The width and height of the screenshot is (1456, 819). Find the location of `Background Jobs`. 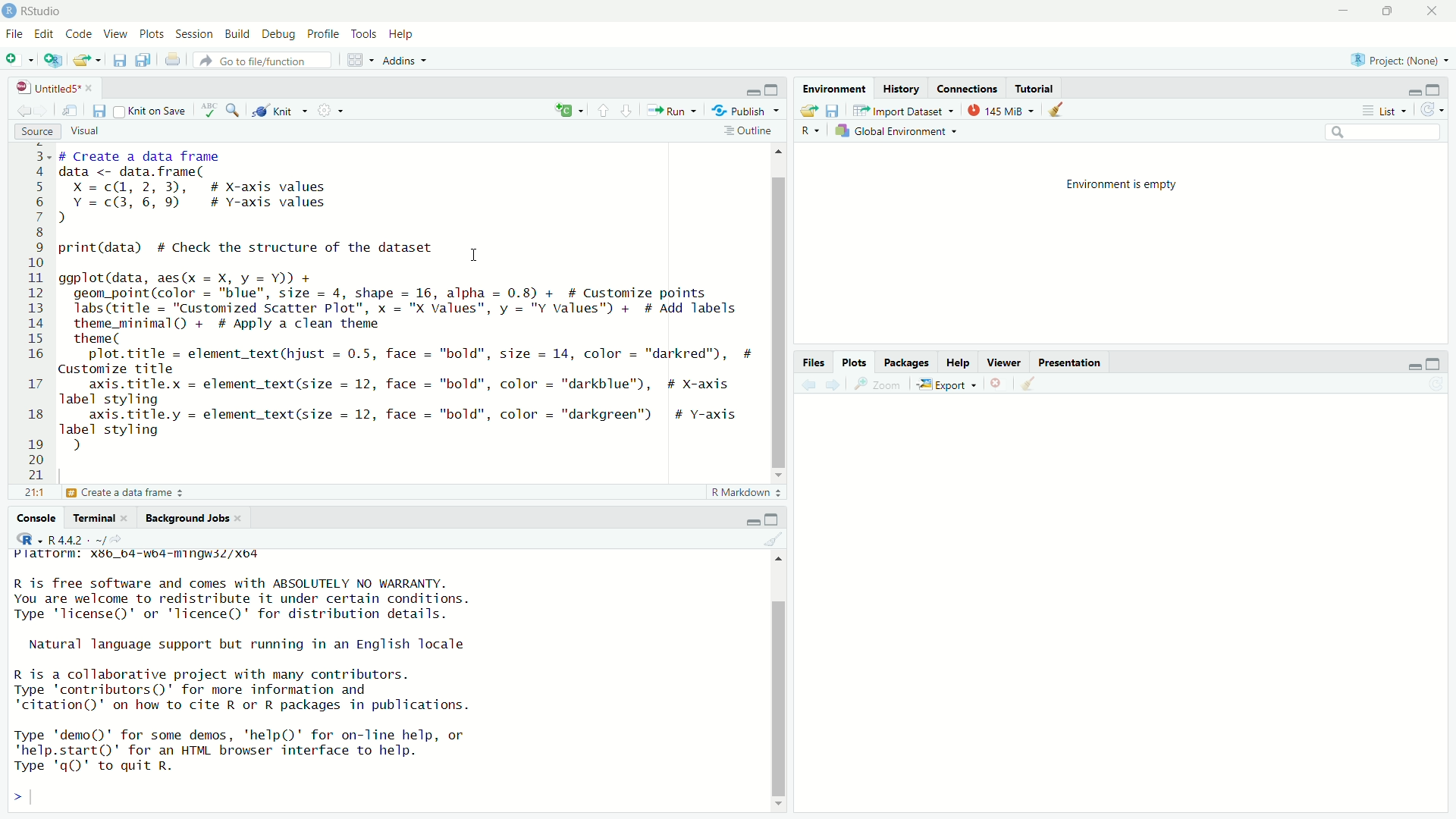

Background Jobs is located at coordinates (192, 519).